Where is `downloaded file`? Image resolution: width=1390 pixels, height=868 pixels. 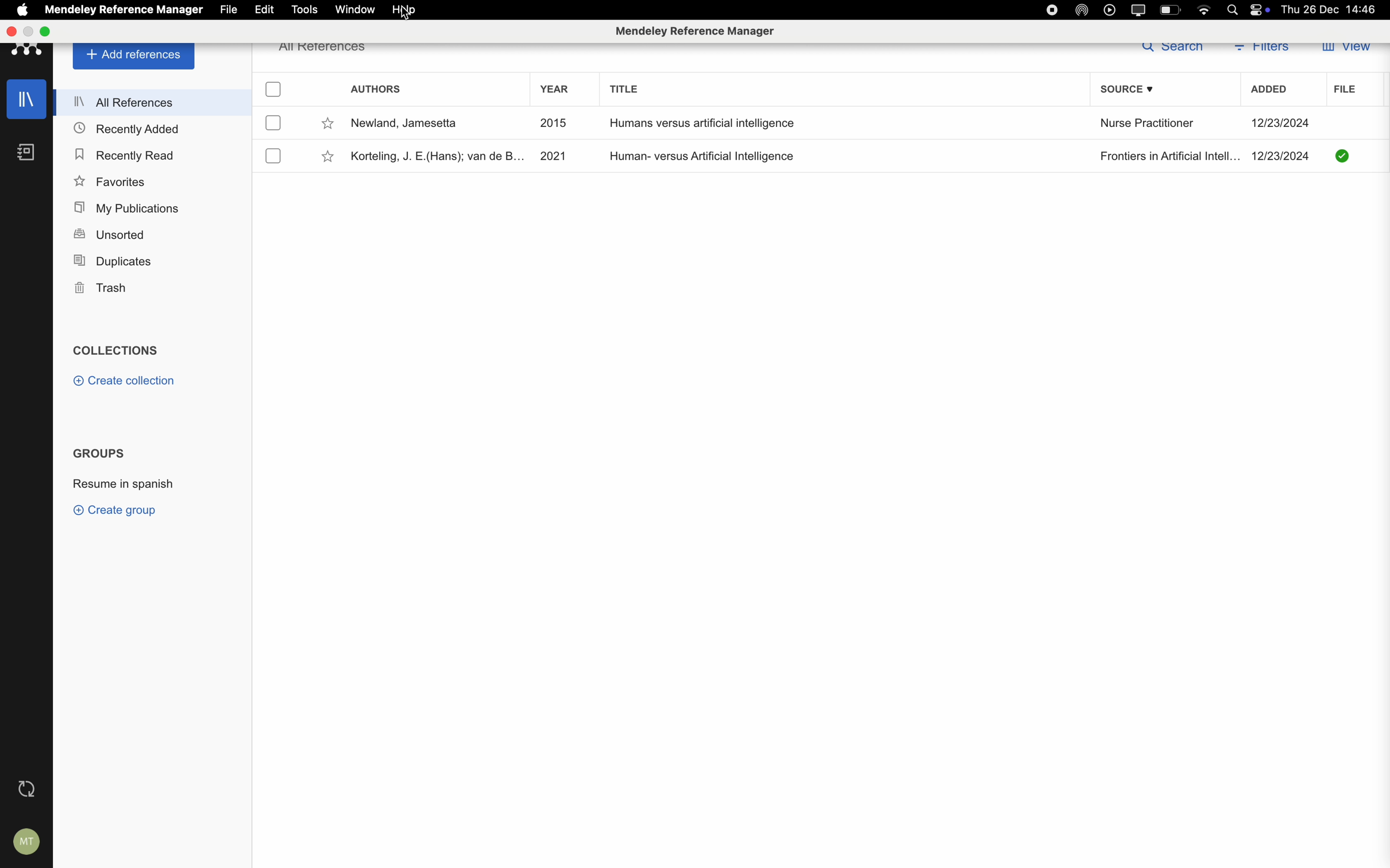
downloaded file is located at coordinates (1343, 157).